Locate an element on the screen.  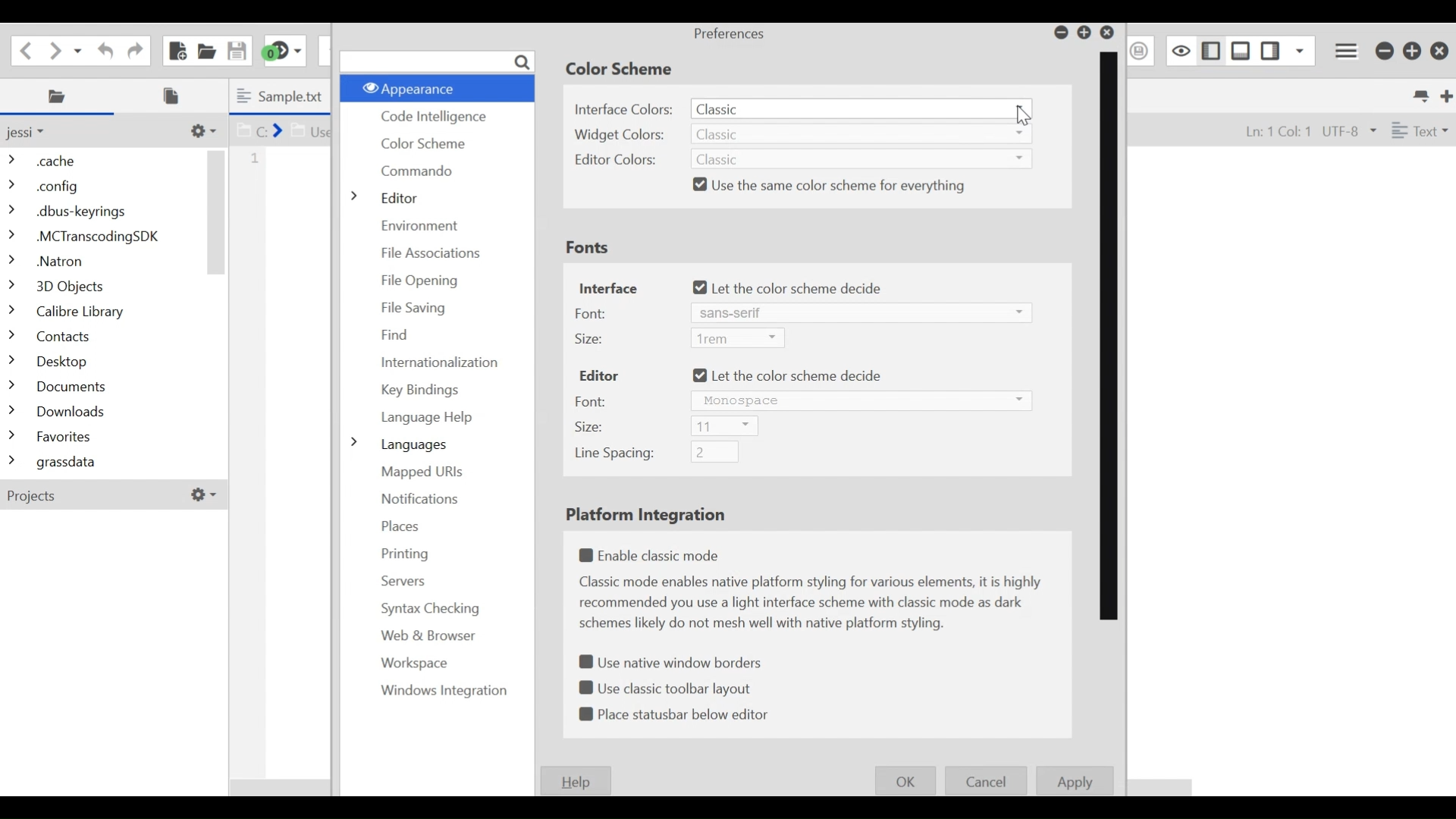
search is located at coordinates (437, 61).